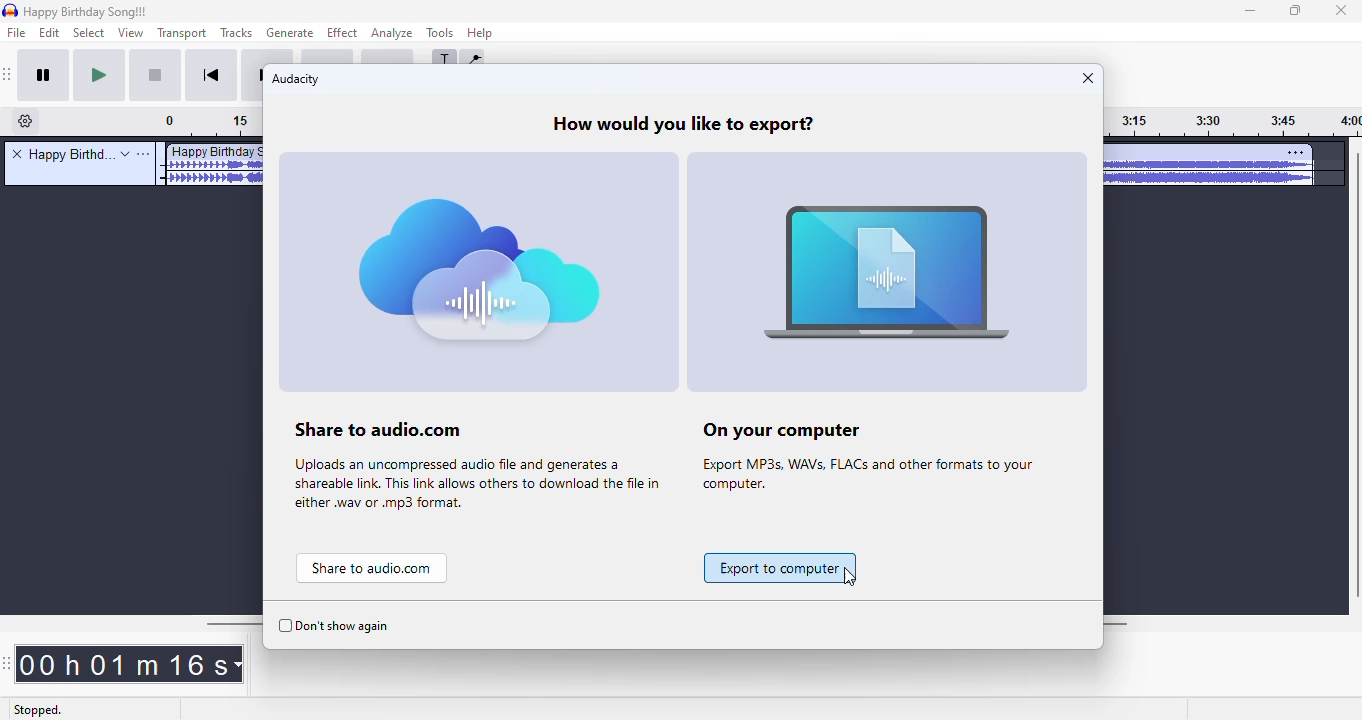 This screenshot has height=720, width=1362. Describe the element at coordinates (255, 76) in the screenshot. I see `skip to end` at that location.